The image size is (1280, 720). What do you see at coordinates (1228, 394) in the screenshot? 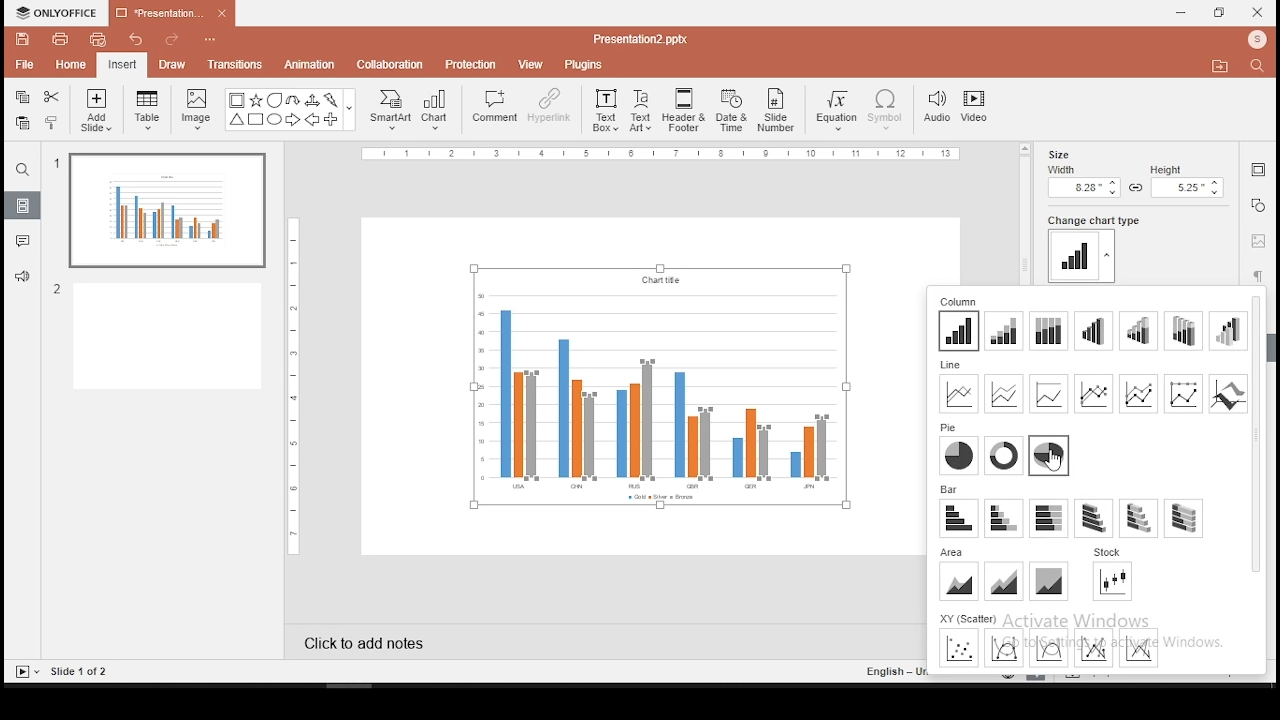
I see `line 7` at bounding box center [1228, 394].